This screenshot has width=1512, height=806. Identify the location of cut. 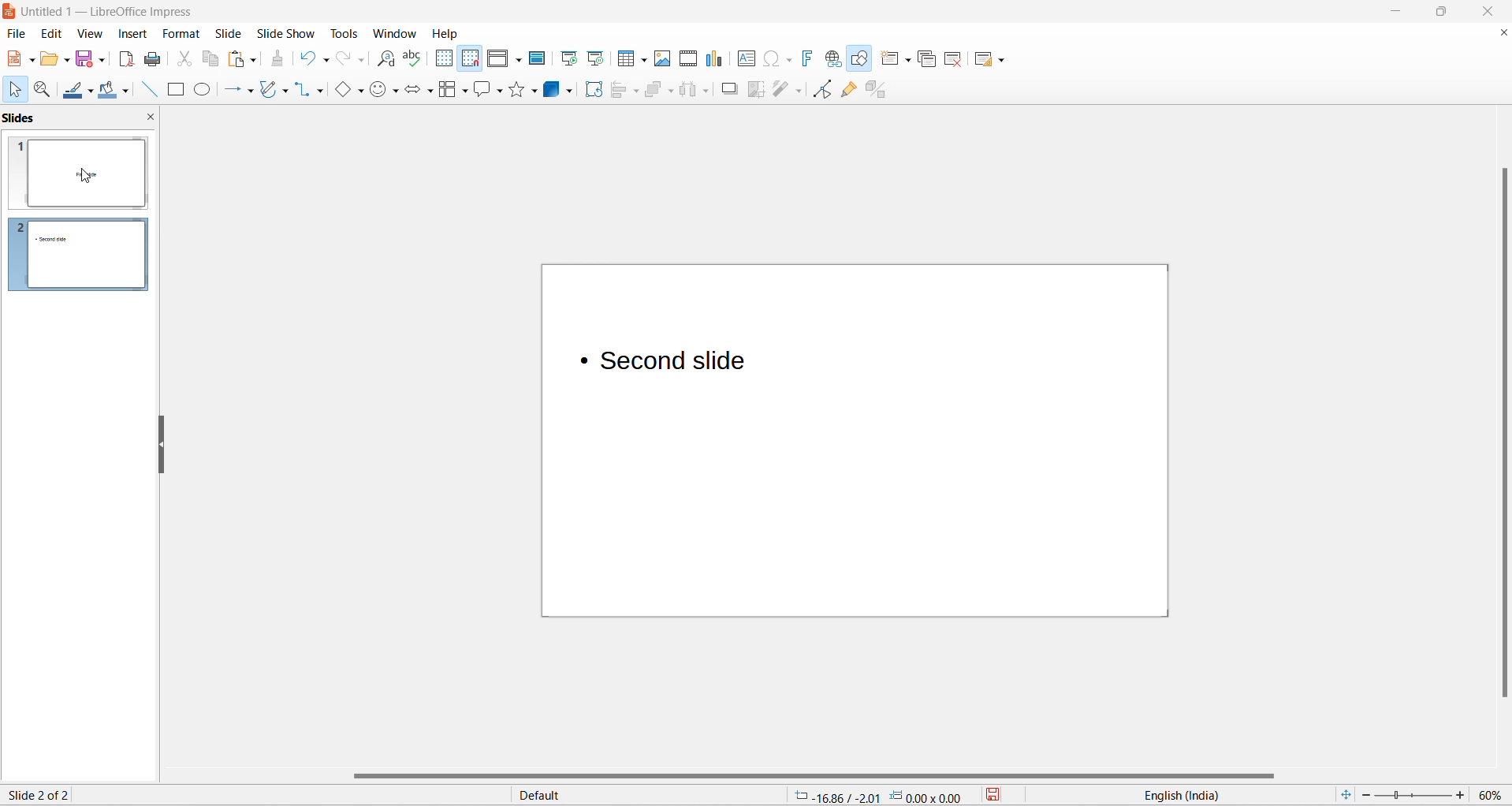
(183, 58).